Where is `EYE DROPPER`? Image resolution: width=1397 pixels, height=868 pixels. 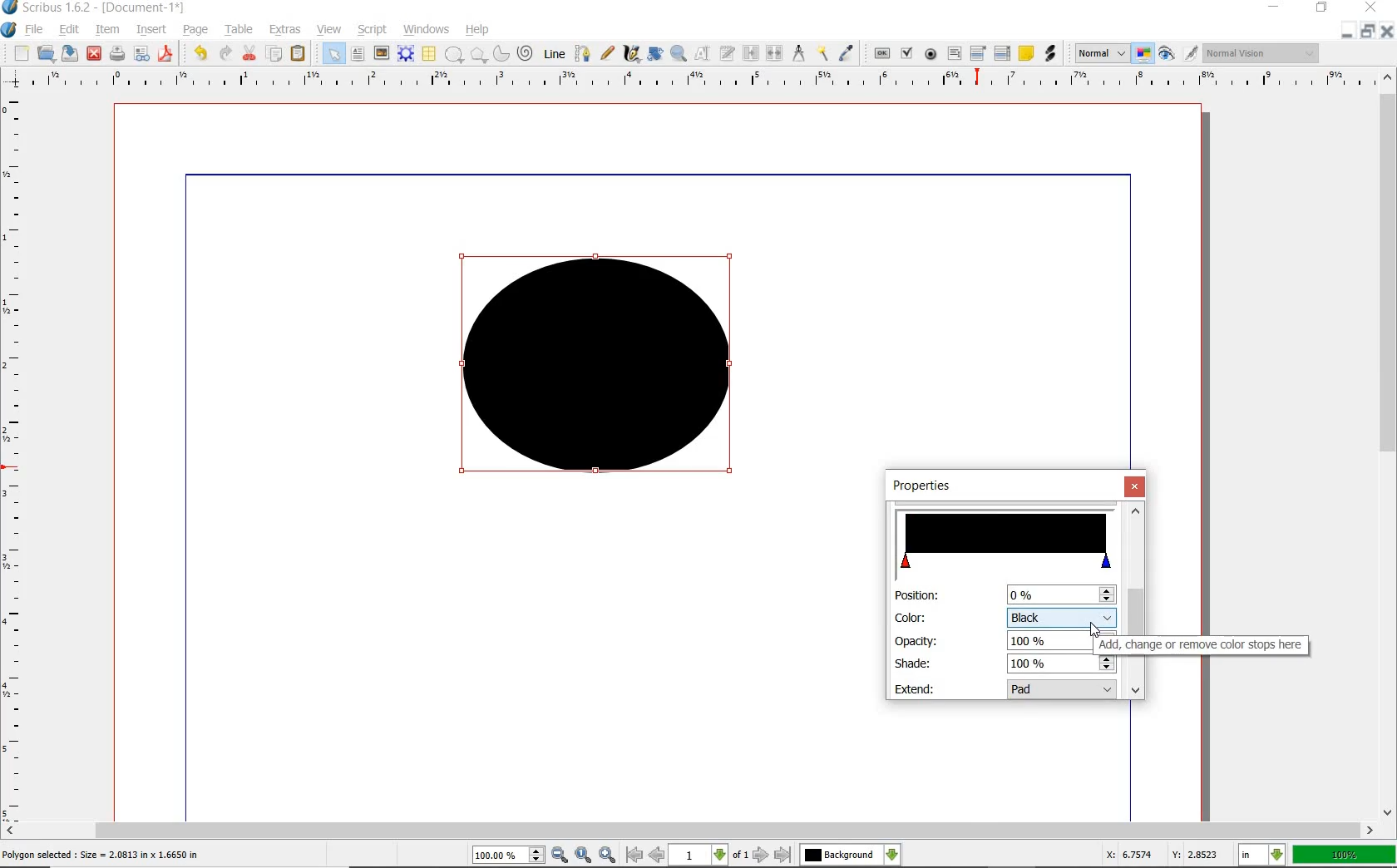
EYE DROPPER is located at coordinates (847, 54).